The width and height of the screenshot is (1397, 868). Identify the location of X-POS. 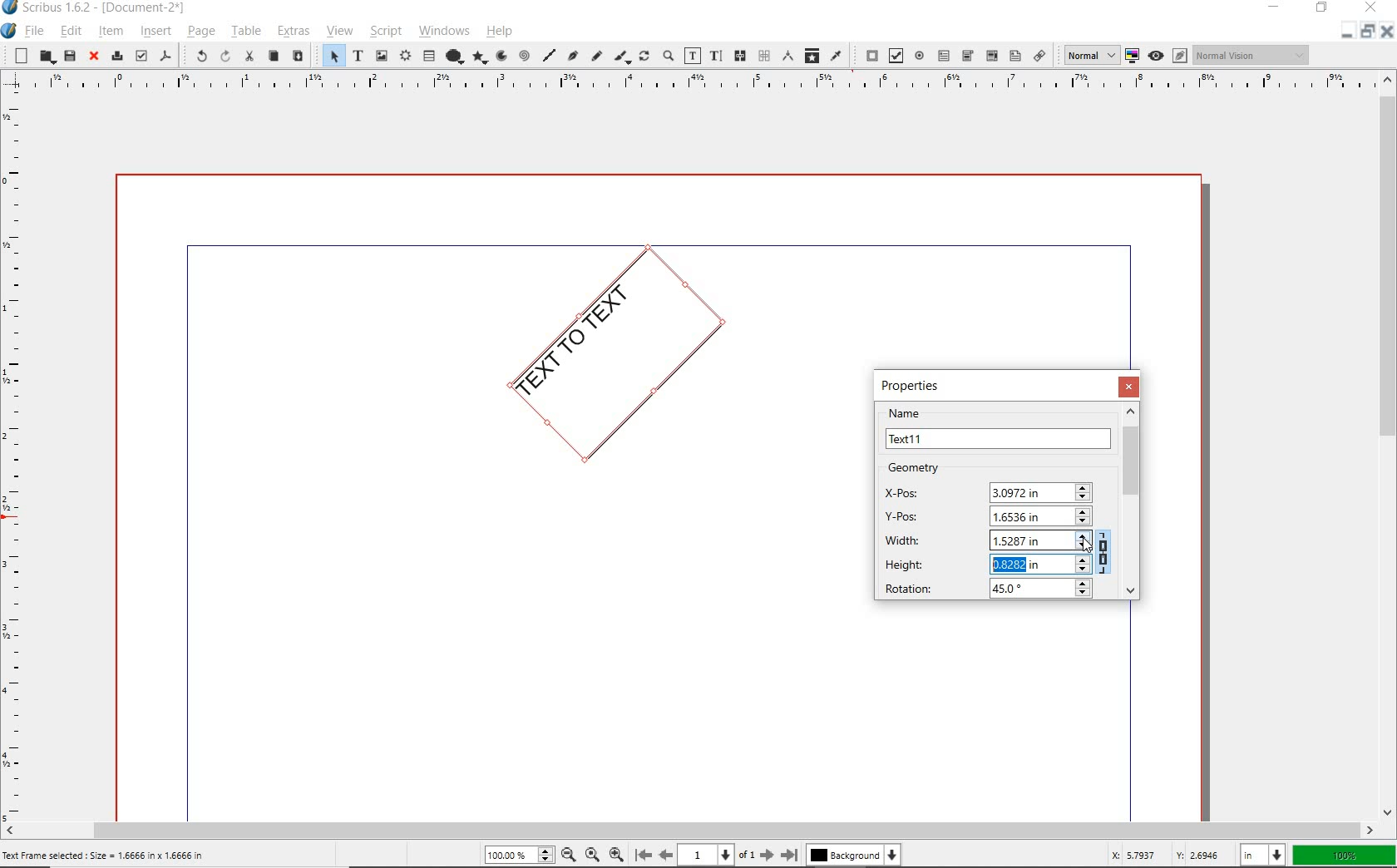
(988, 490).